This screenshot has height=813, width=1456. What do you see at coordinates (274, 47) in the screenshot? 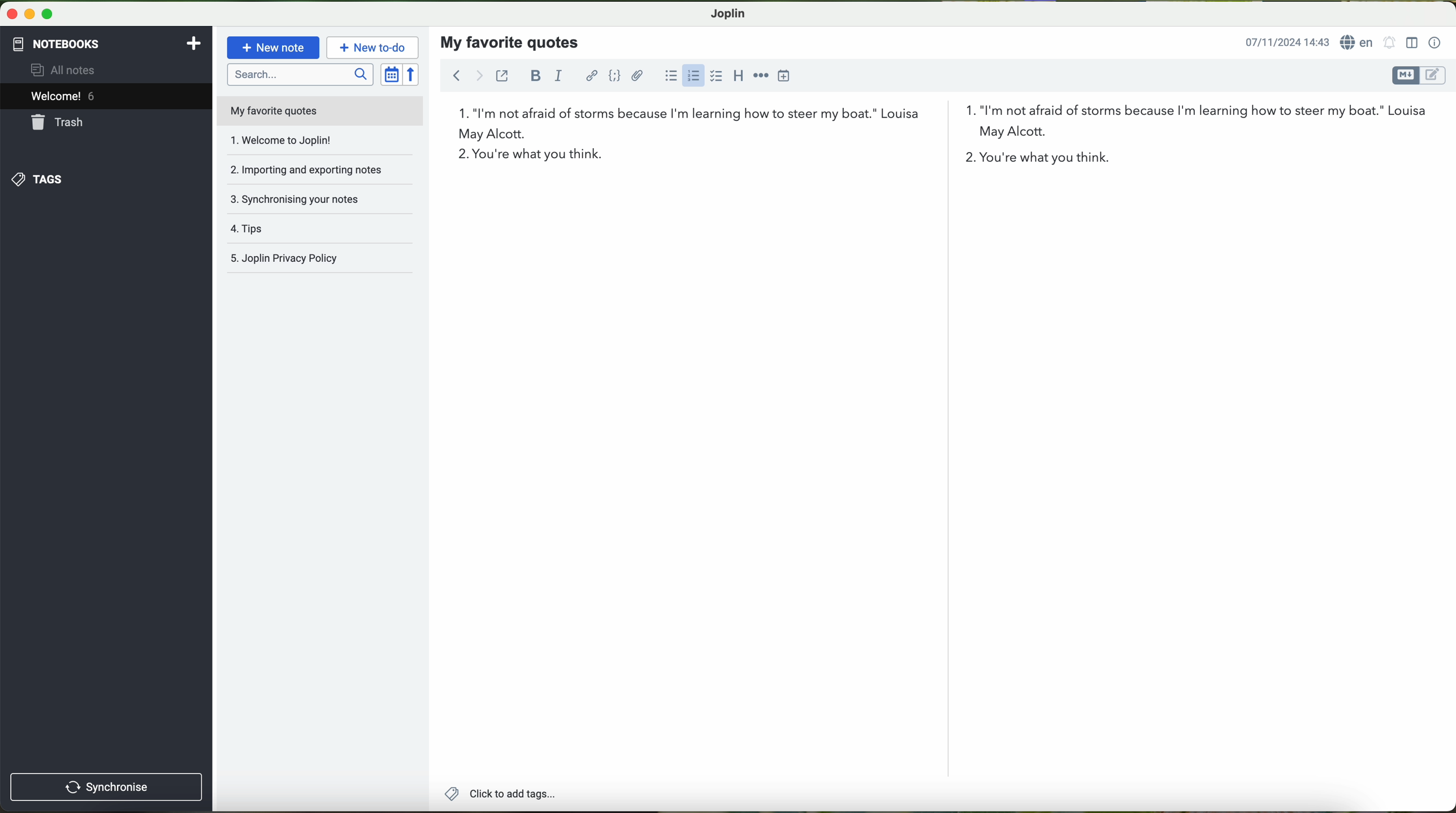
I see `new note button` at bounding box center [274, 47].